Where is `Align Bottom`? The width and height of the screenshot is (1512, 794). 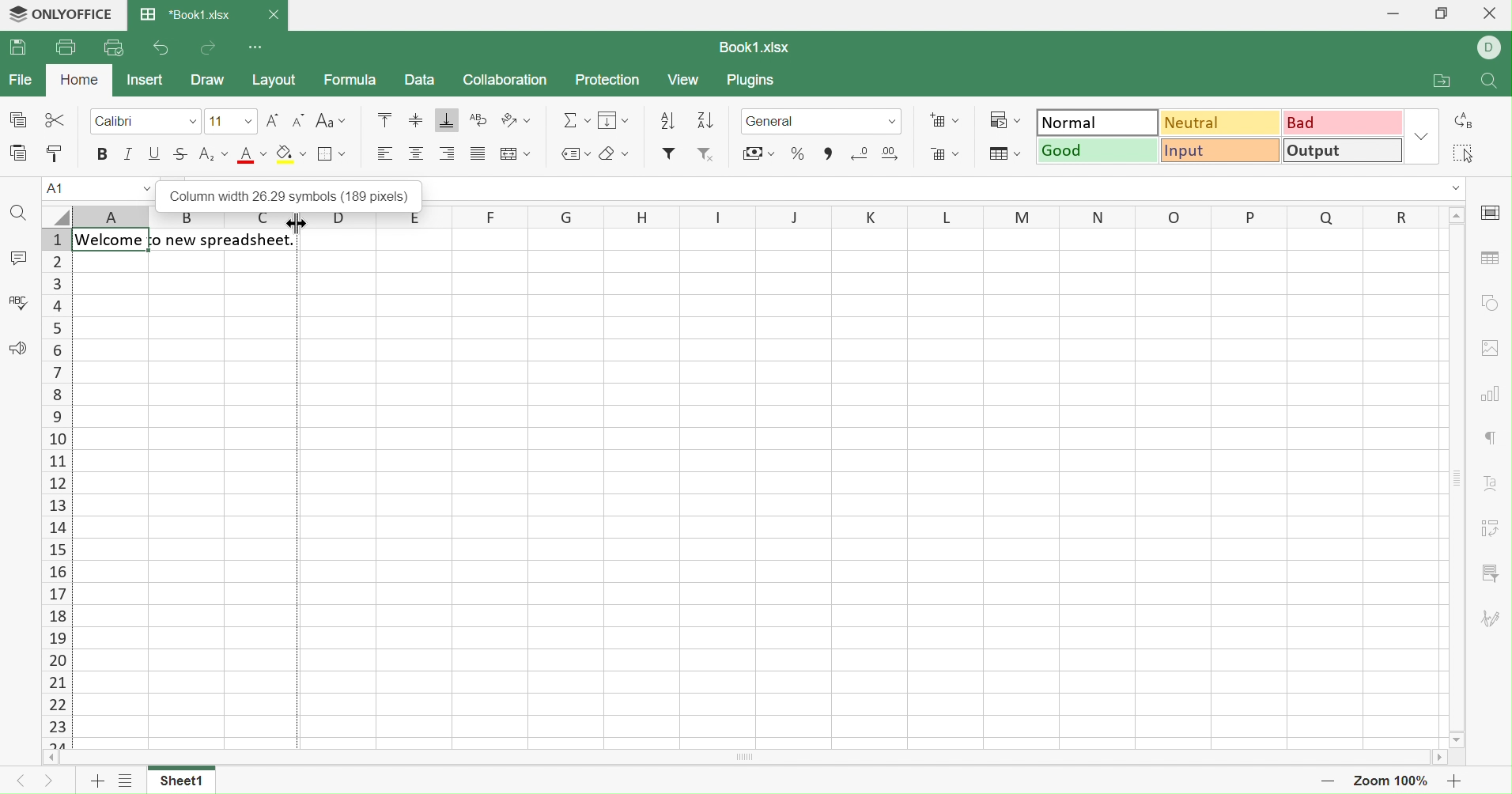 Align Bottom is located at coordinates (446, 121).